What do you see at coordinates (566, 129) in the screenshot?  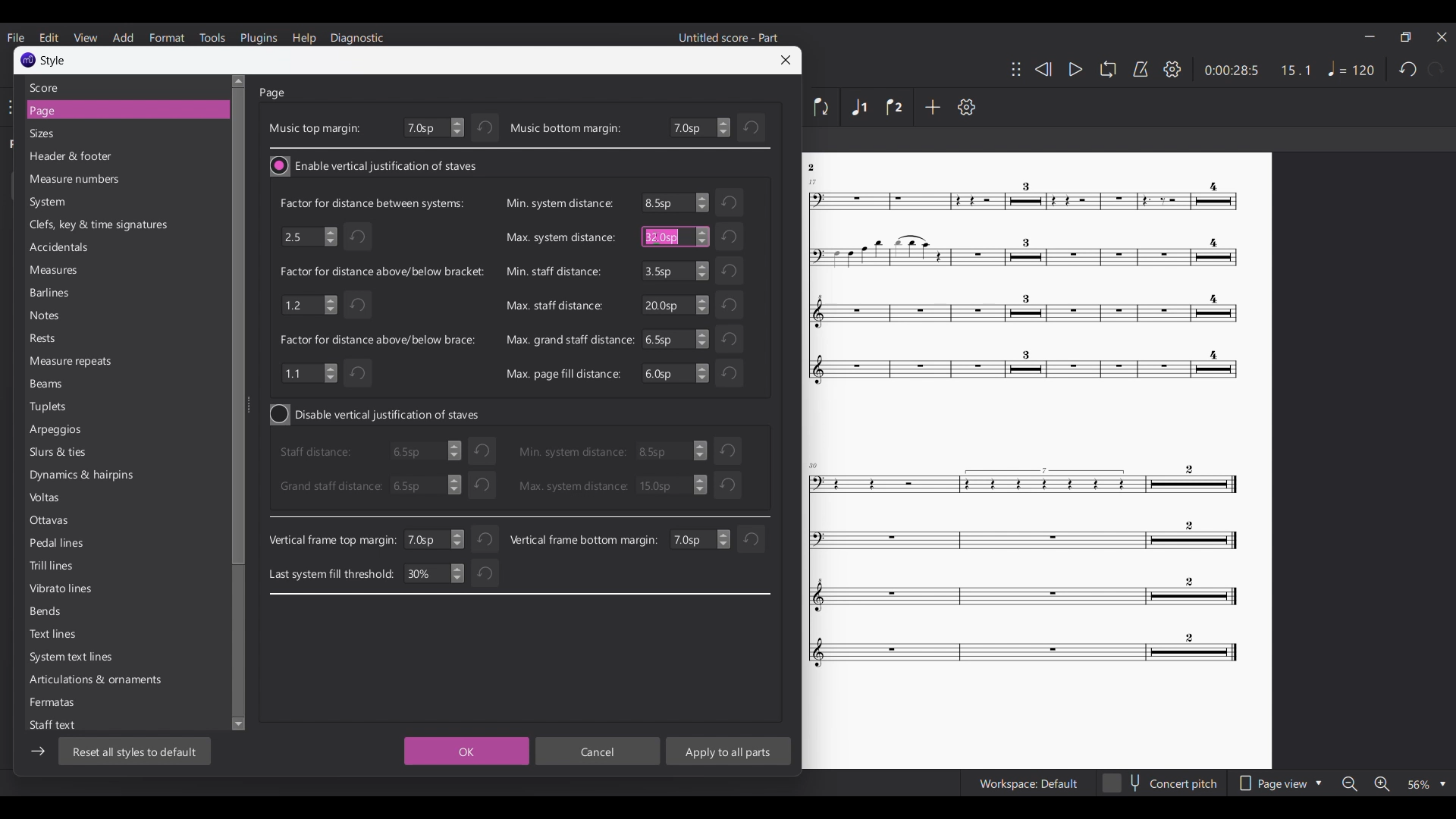 I see `music bottom margin` at bounding box center [566, 129].